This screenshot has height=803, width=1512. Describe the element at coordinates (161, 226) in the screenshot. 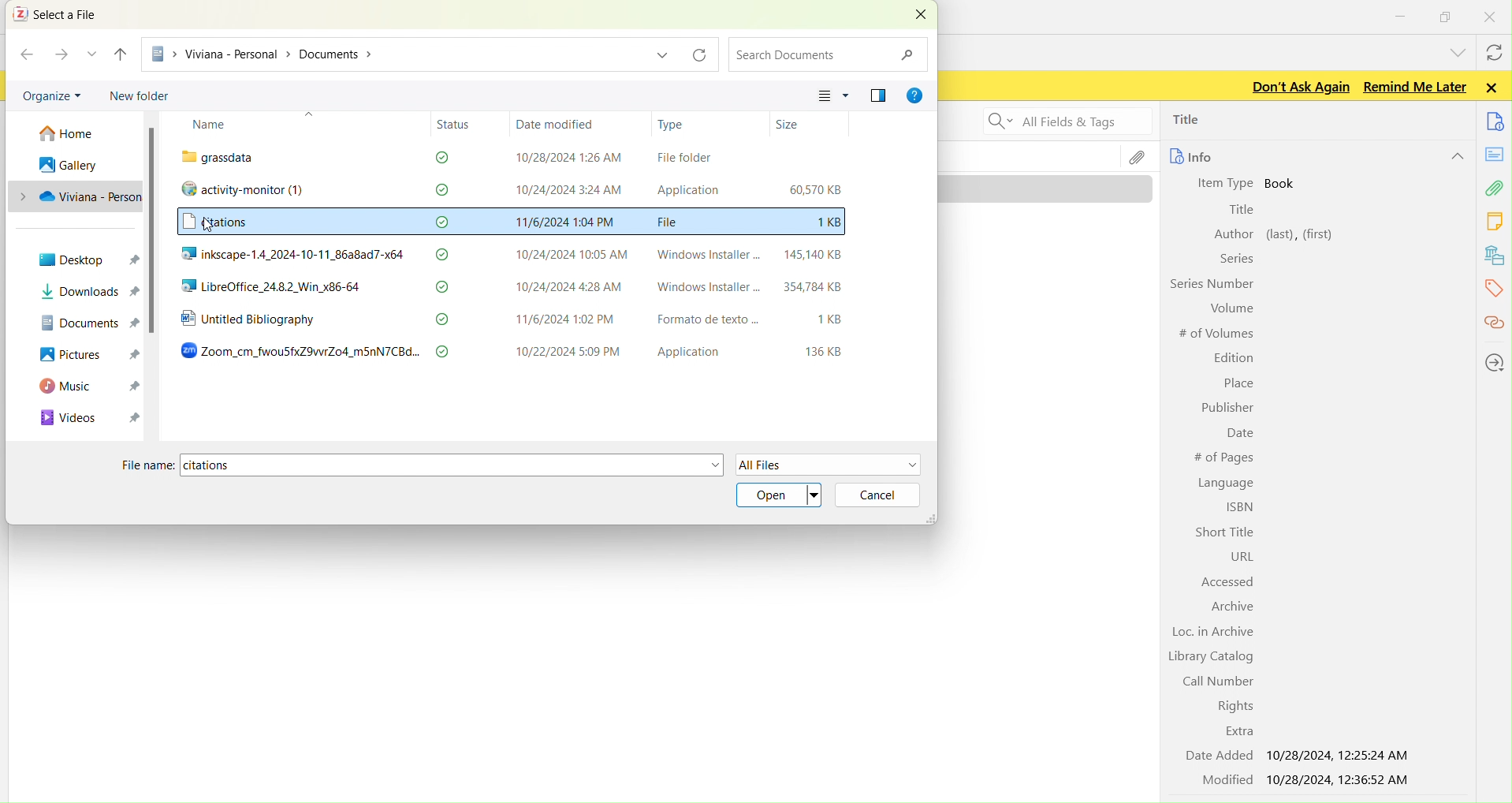

I see `scroll` at that location.